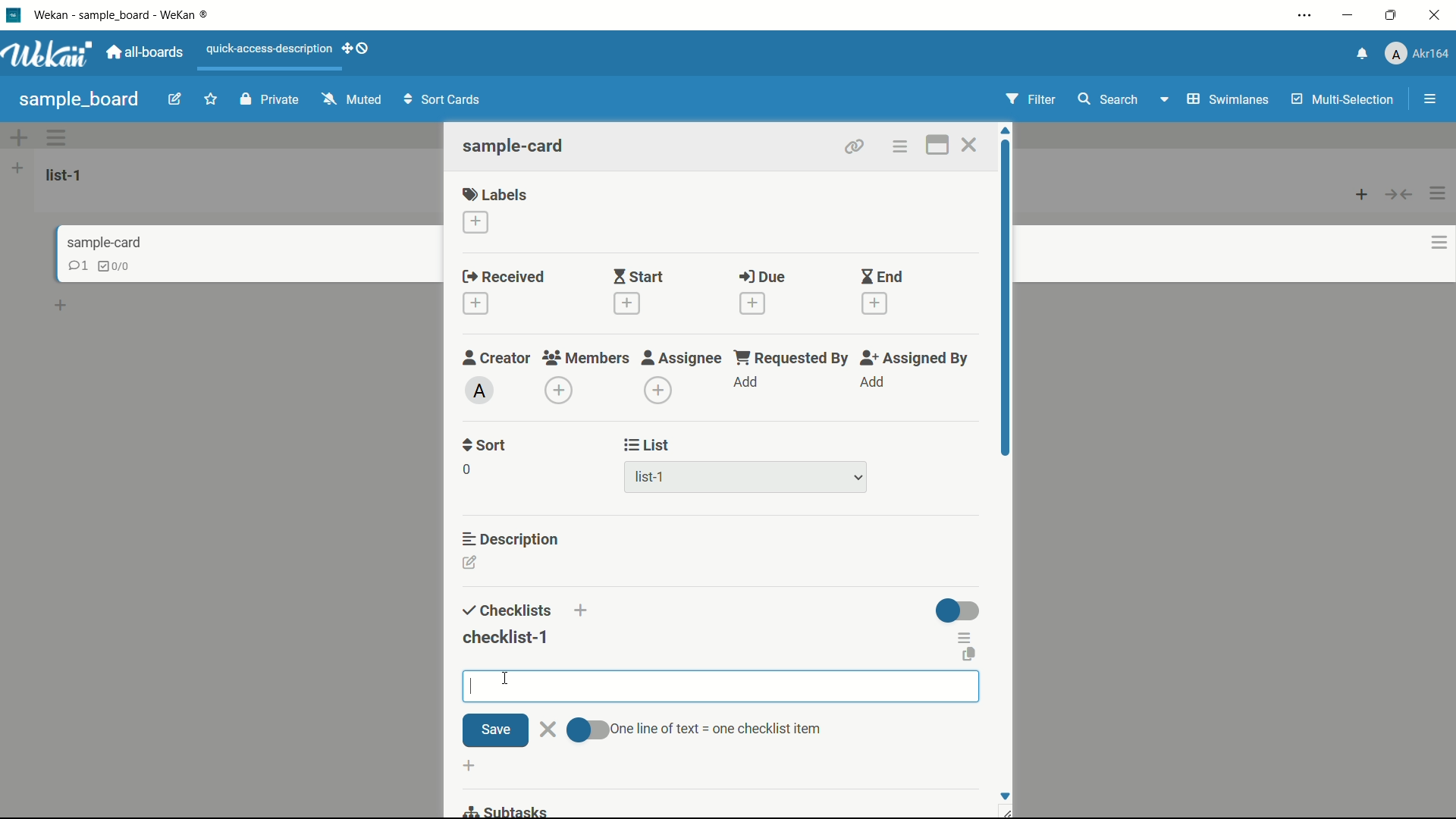  I want to click on  Swimlanes, so click(1212, 99).